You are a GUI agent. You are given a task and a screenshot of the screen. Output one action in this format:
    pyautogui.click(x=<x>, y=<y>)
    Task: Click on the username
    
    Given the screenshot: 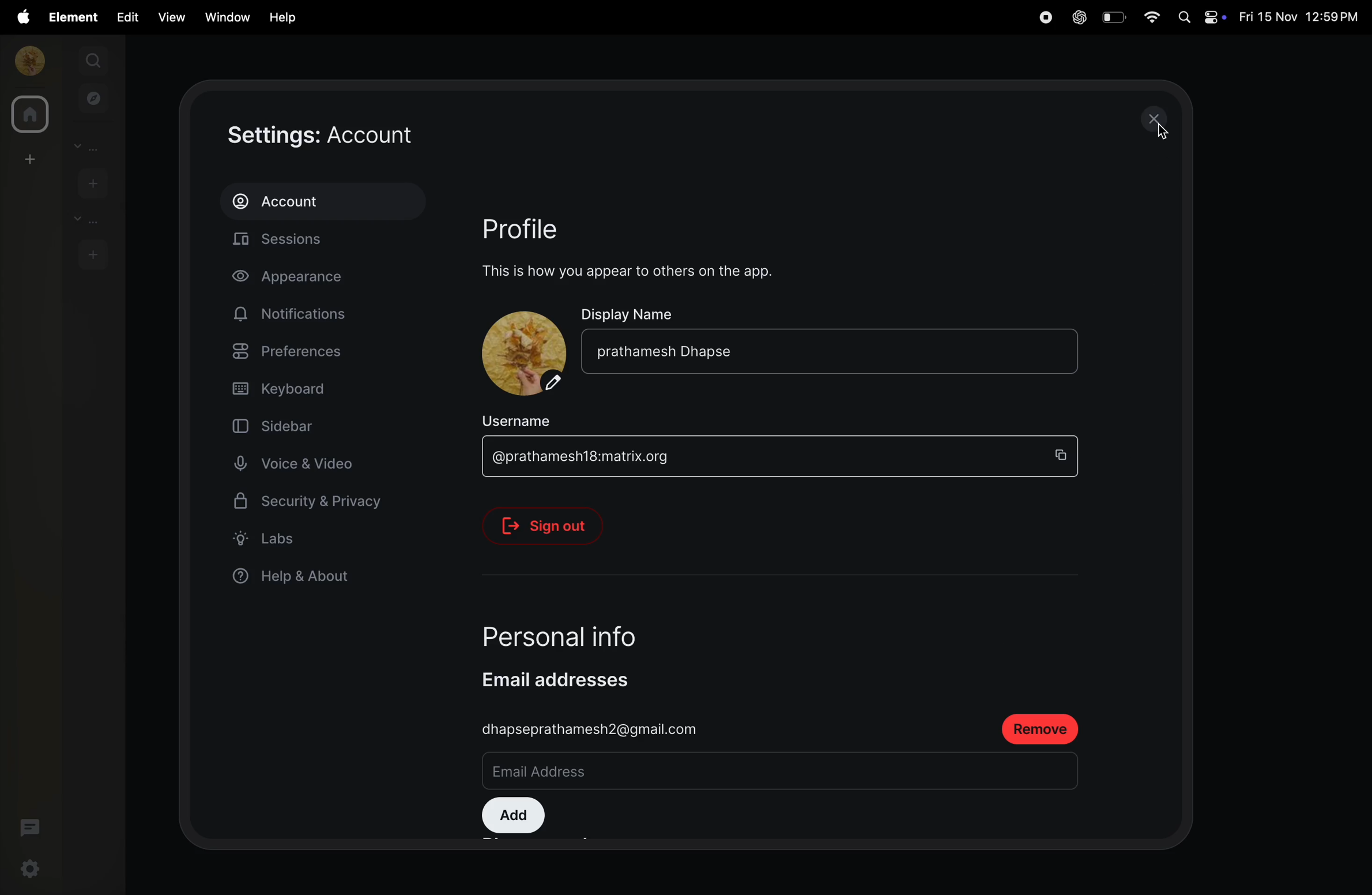 What is the action you would take?
    pyautogui.click(x=519, y=419)
    